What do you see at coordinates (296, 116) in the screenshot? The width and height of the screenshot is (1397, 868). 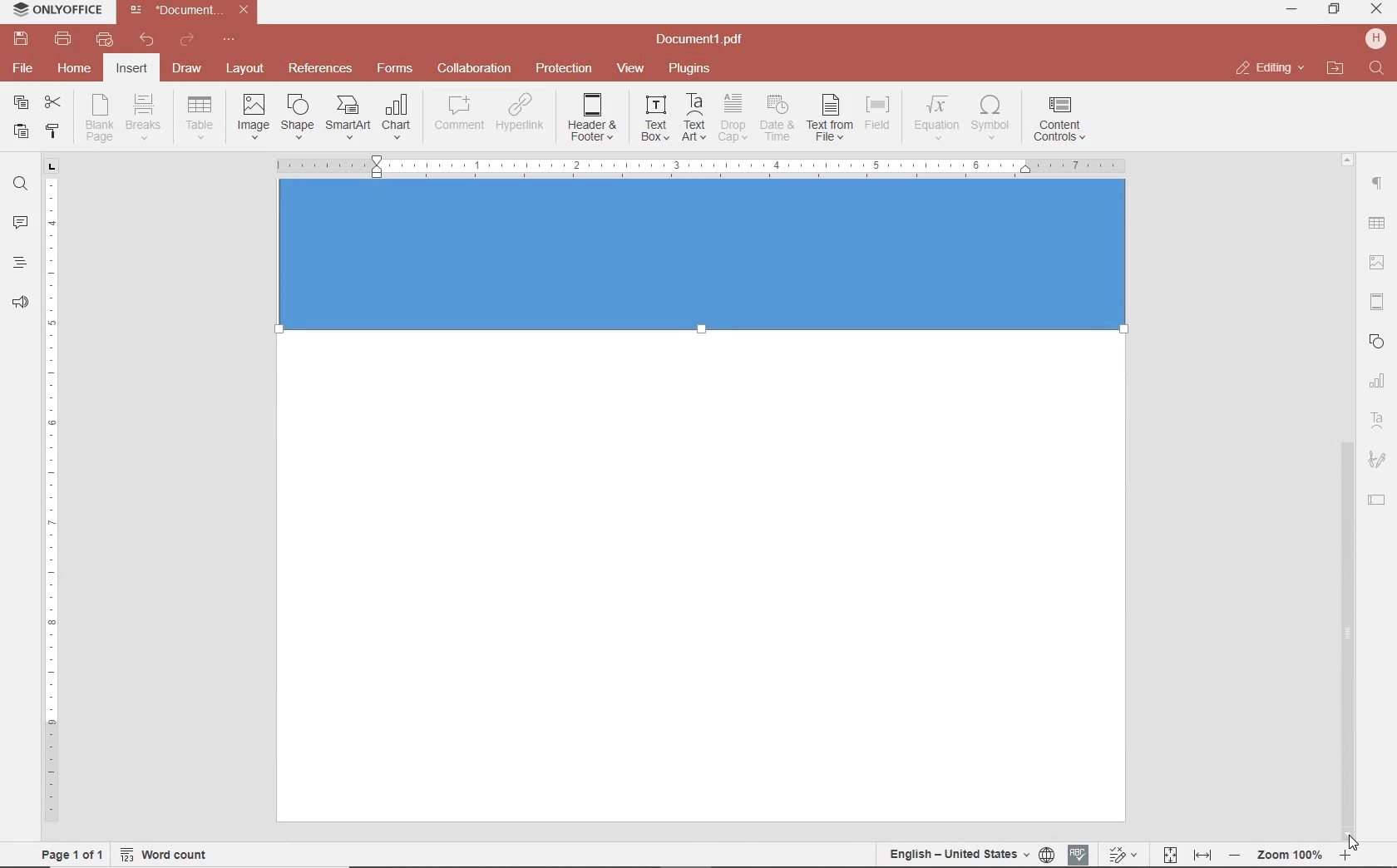 I see `INSERT SHAPE` at bounding box center [296, 116].